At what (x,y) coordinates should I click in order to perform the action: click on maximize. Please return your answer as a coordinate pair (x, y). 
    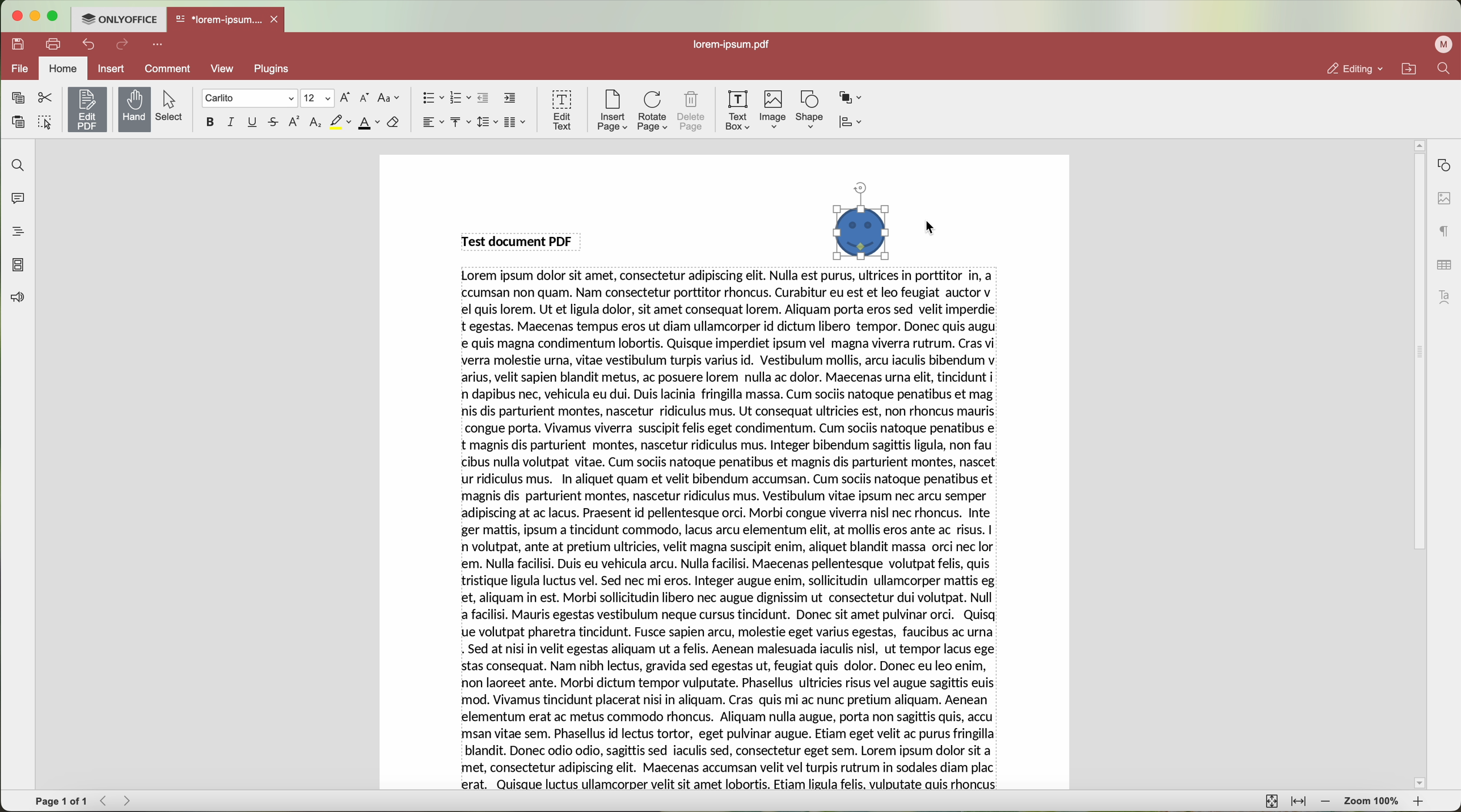
    Looking at the image, I should click on (54, 18).